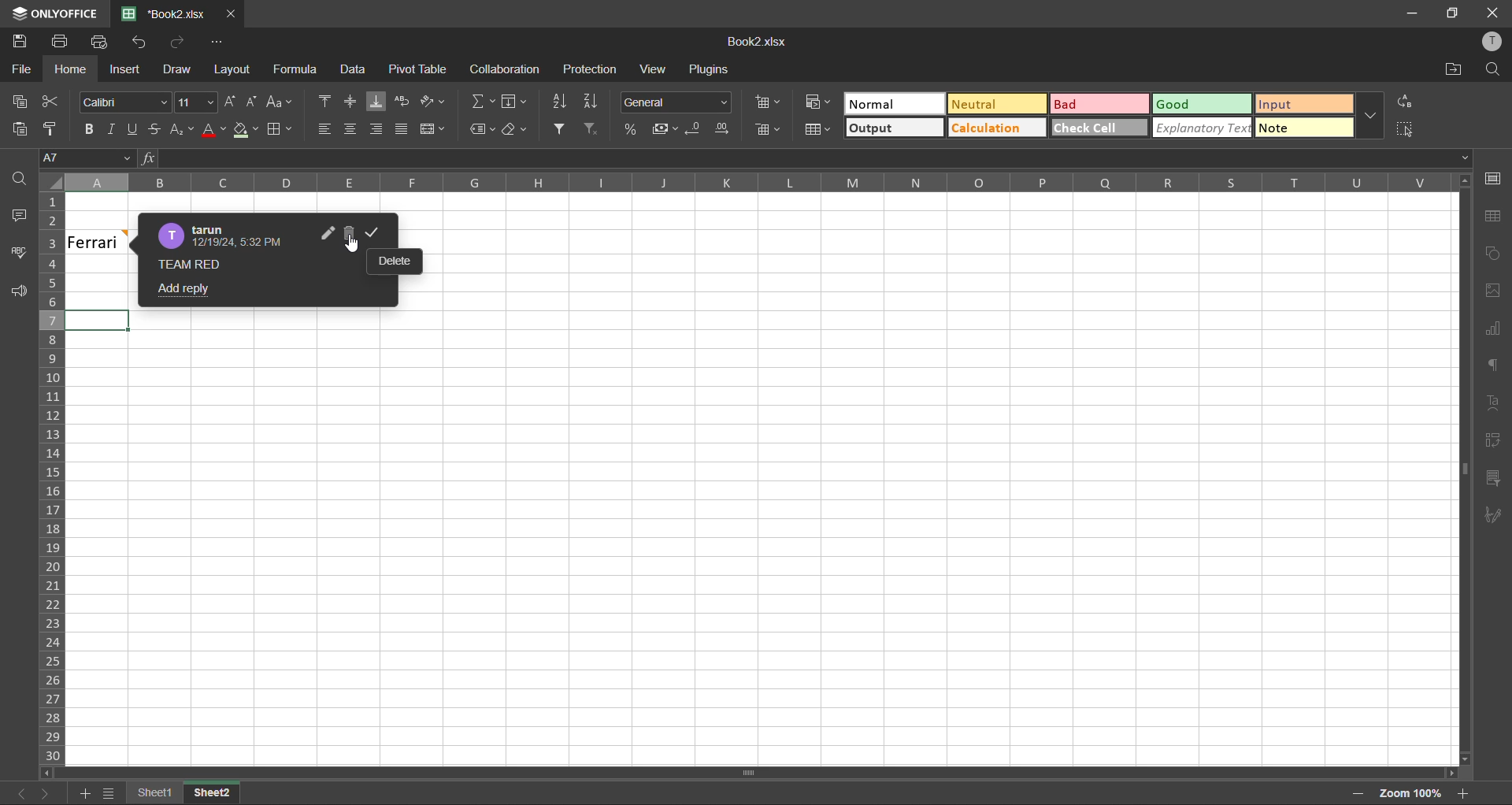 This screenshot has width=1512, height=805. Describe the element at coordinates (656, 69) in the screenshot. I see `view` at that location.